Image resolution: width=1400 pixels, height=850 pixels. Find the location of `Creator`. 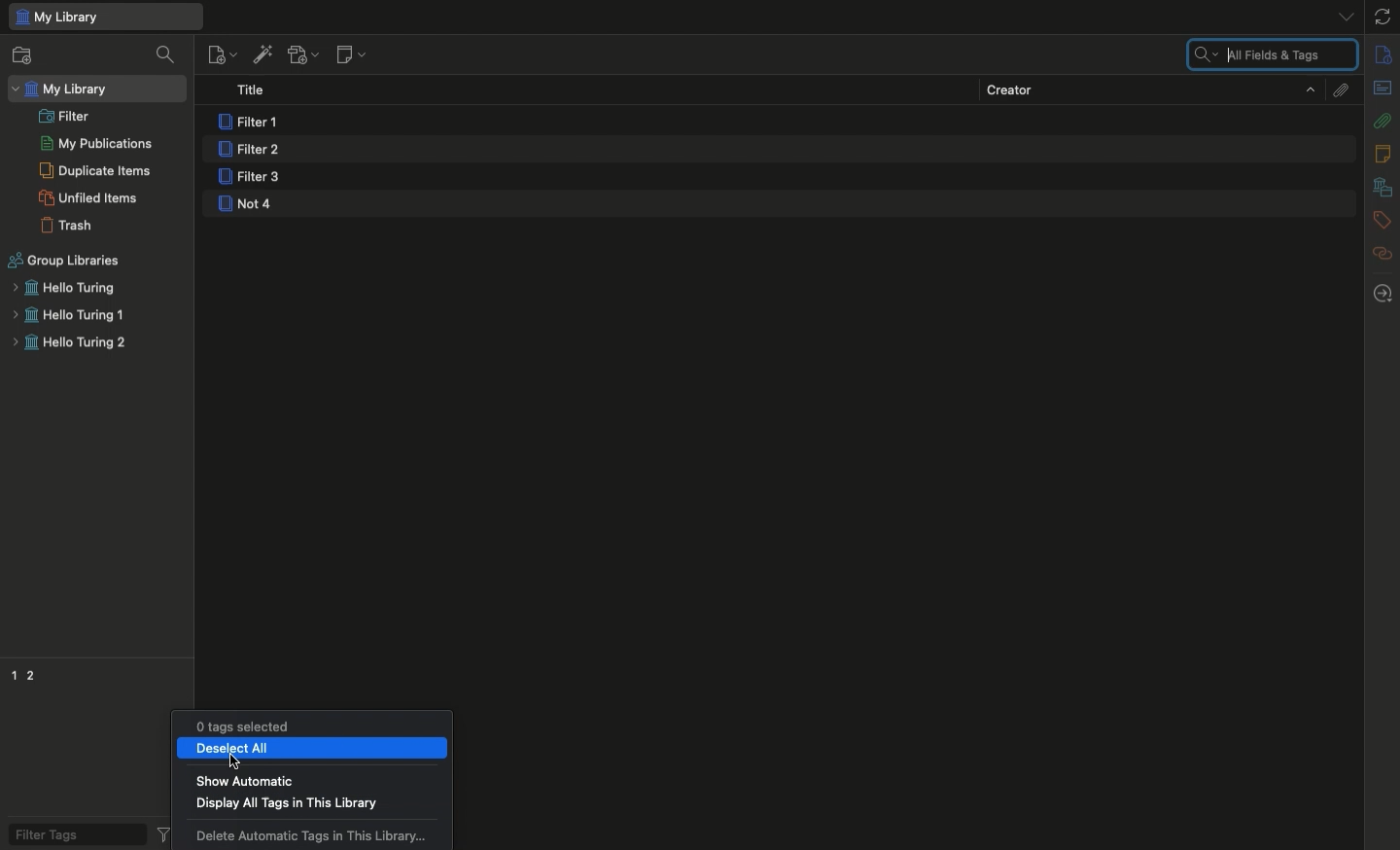

Creator is located at coordinates (1150, 89).